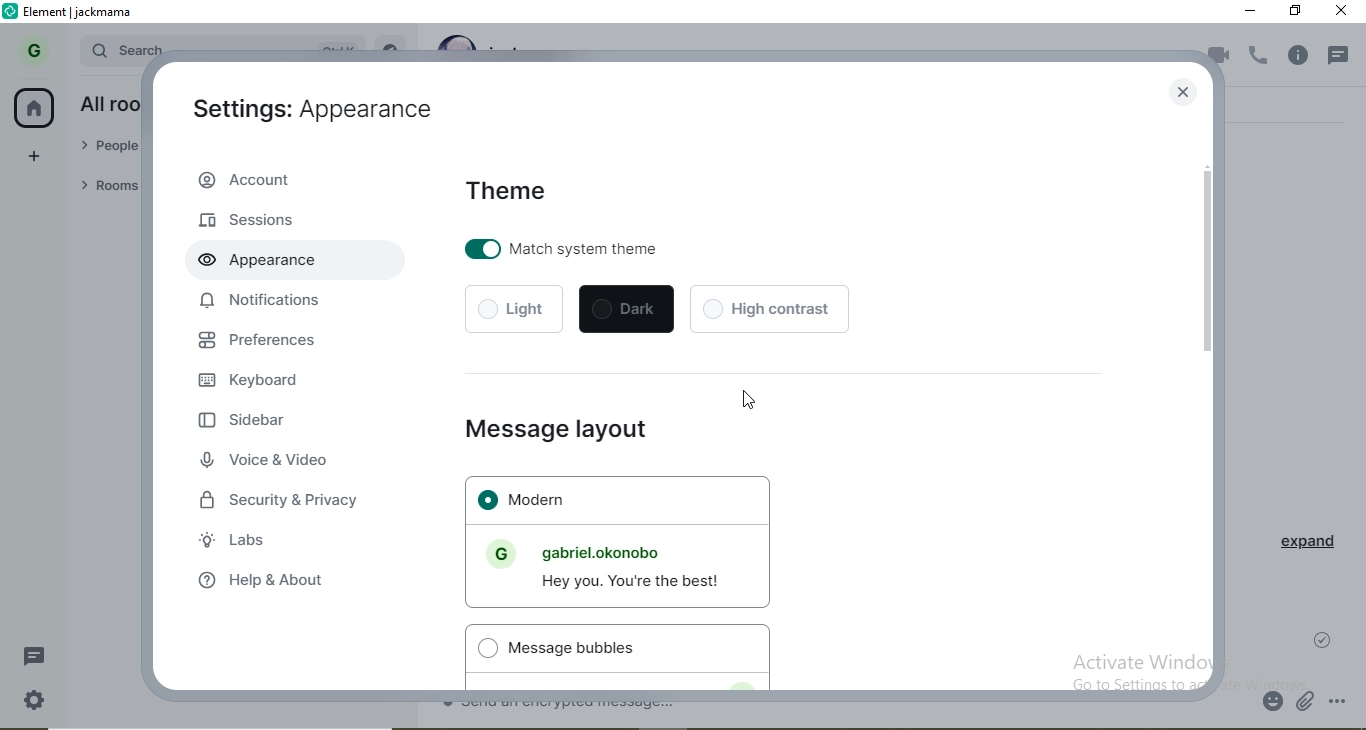 This screenshot has width=1366, height=730. Describe the element at coordinates (1274, 703) in the screenshot. I see `emoji` at that location.